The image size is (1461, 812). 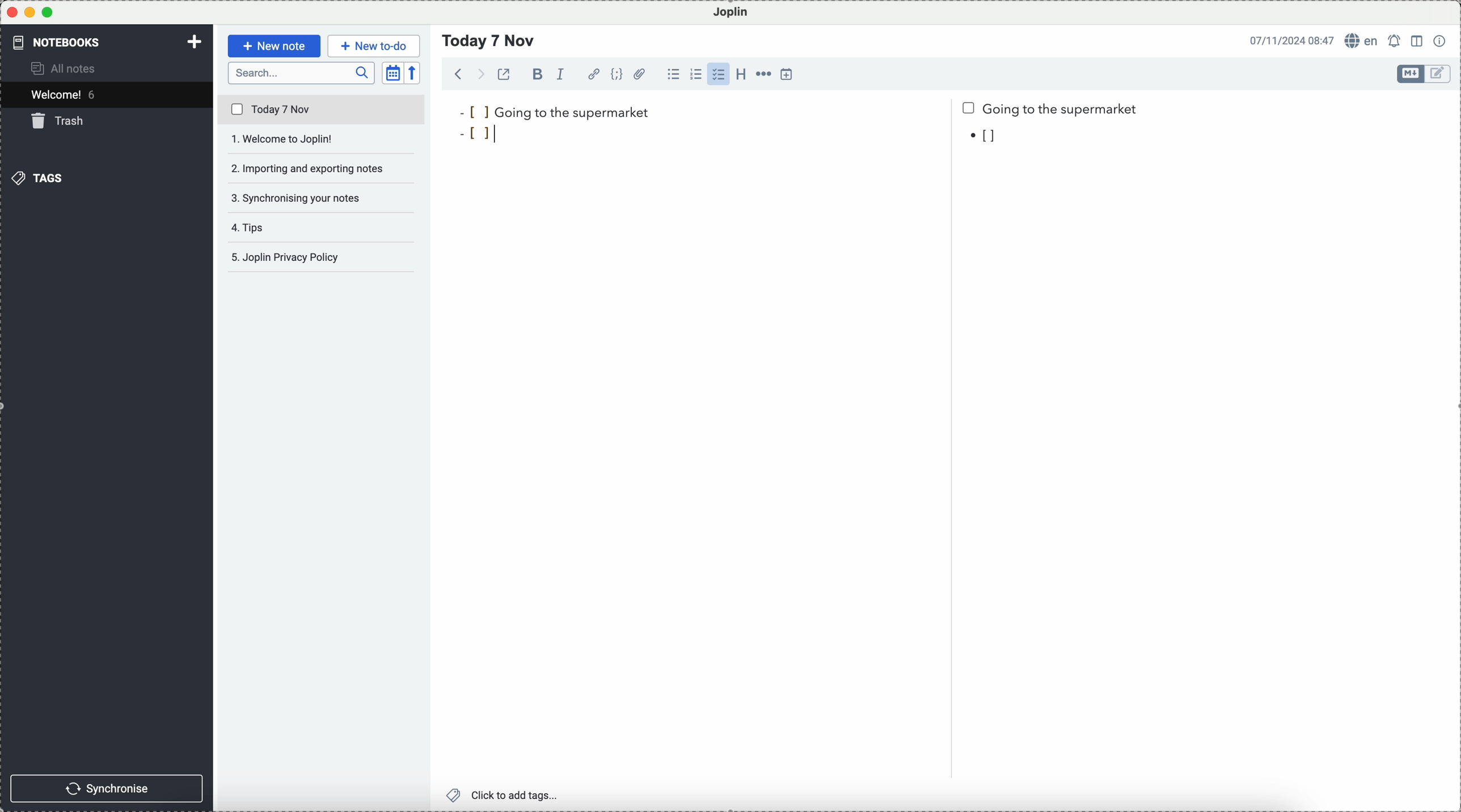 I want to click on Joplin, so click(x=731, y=13).